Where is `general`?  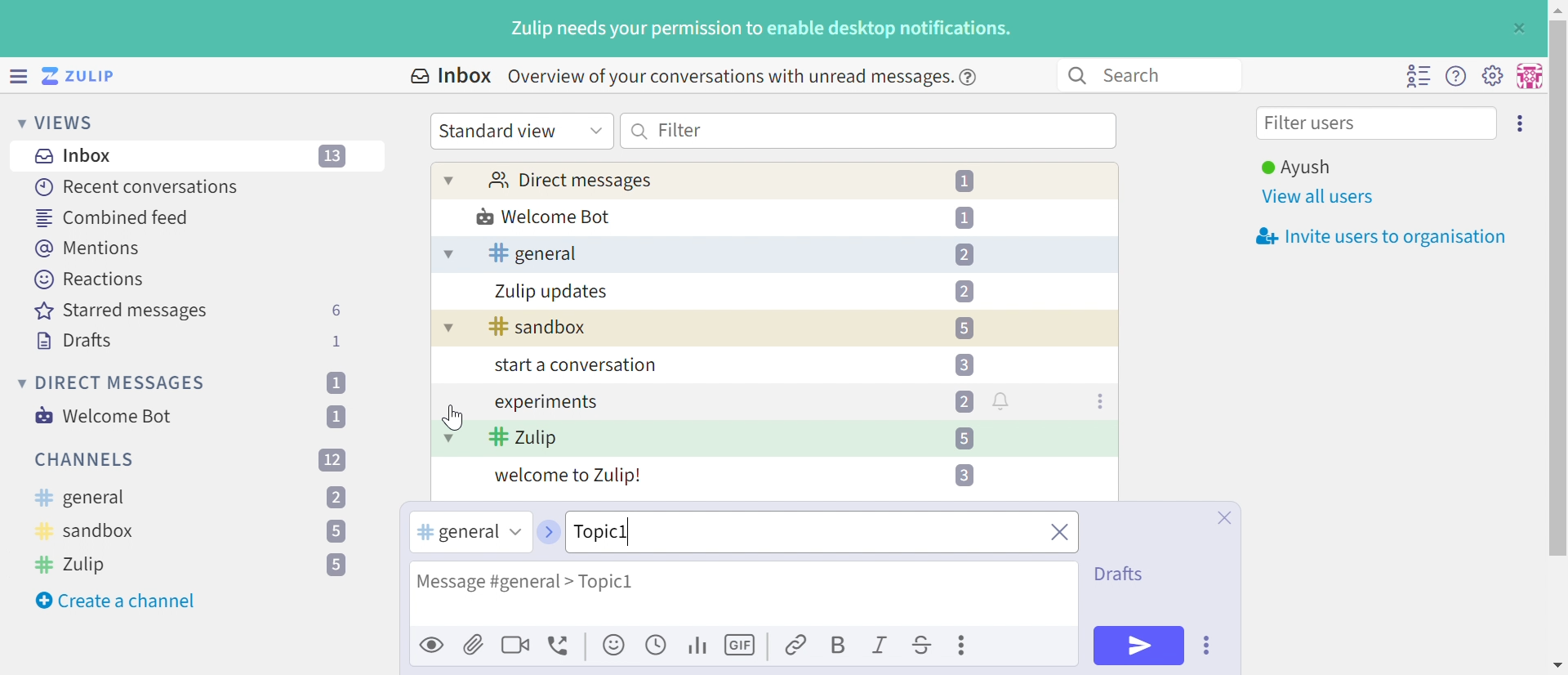 general is located at coordinates (79, 498).